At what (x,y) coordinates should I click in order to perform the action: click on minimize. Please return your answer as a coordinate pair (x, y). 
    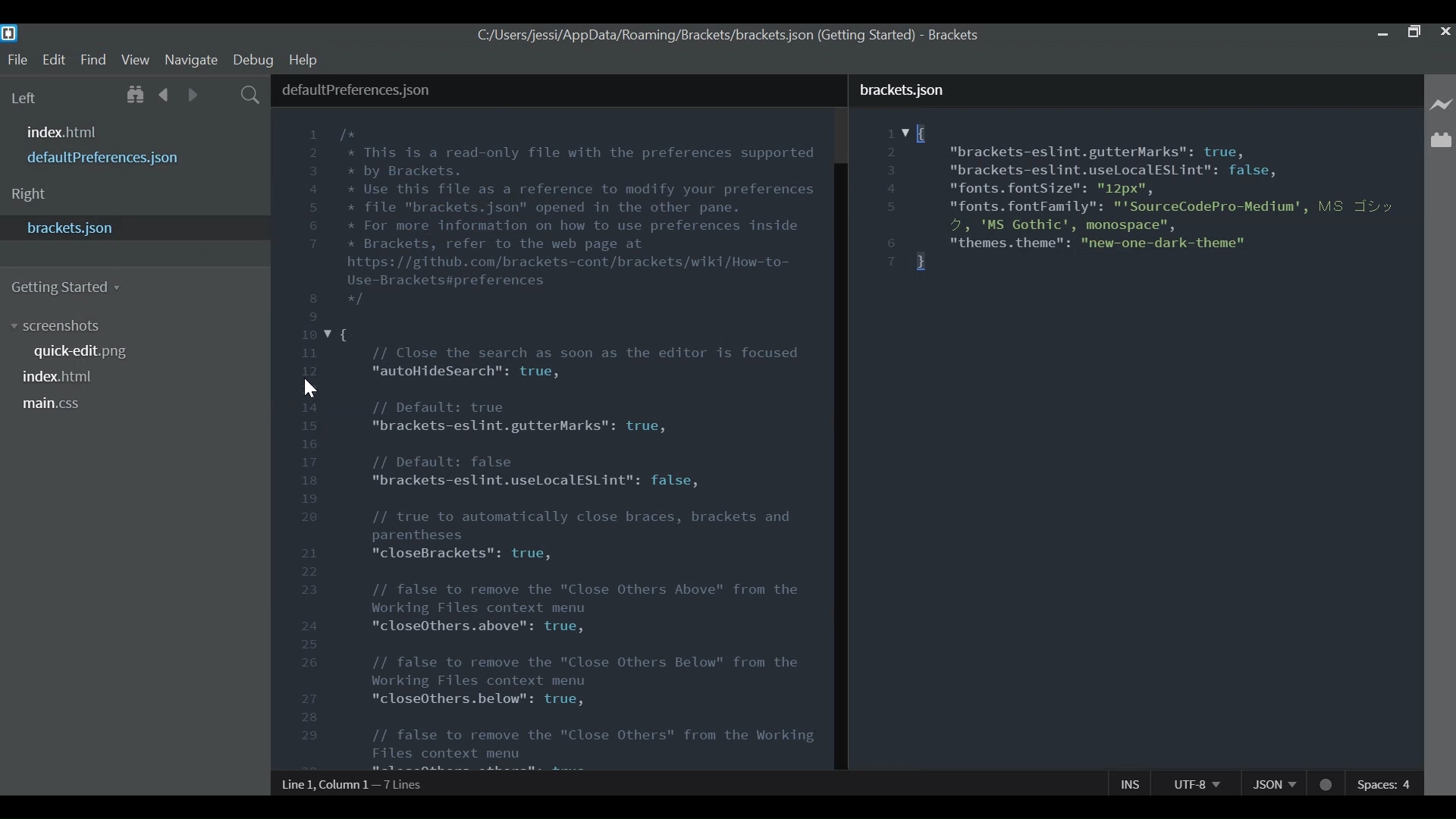
    Looking at the image, I should click on (1384, 34).